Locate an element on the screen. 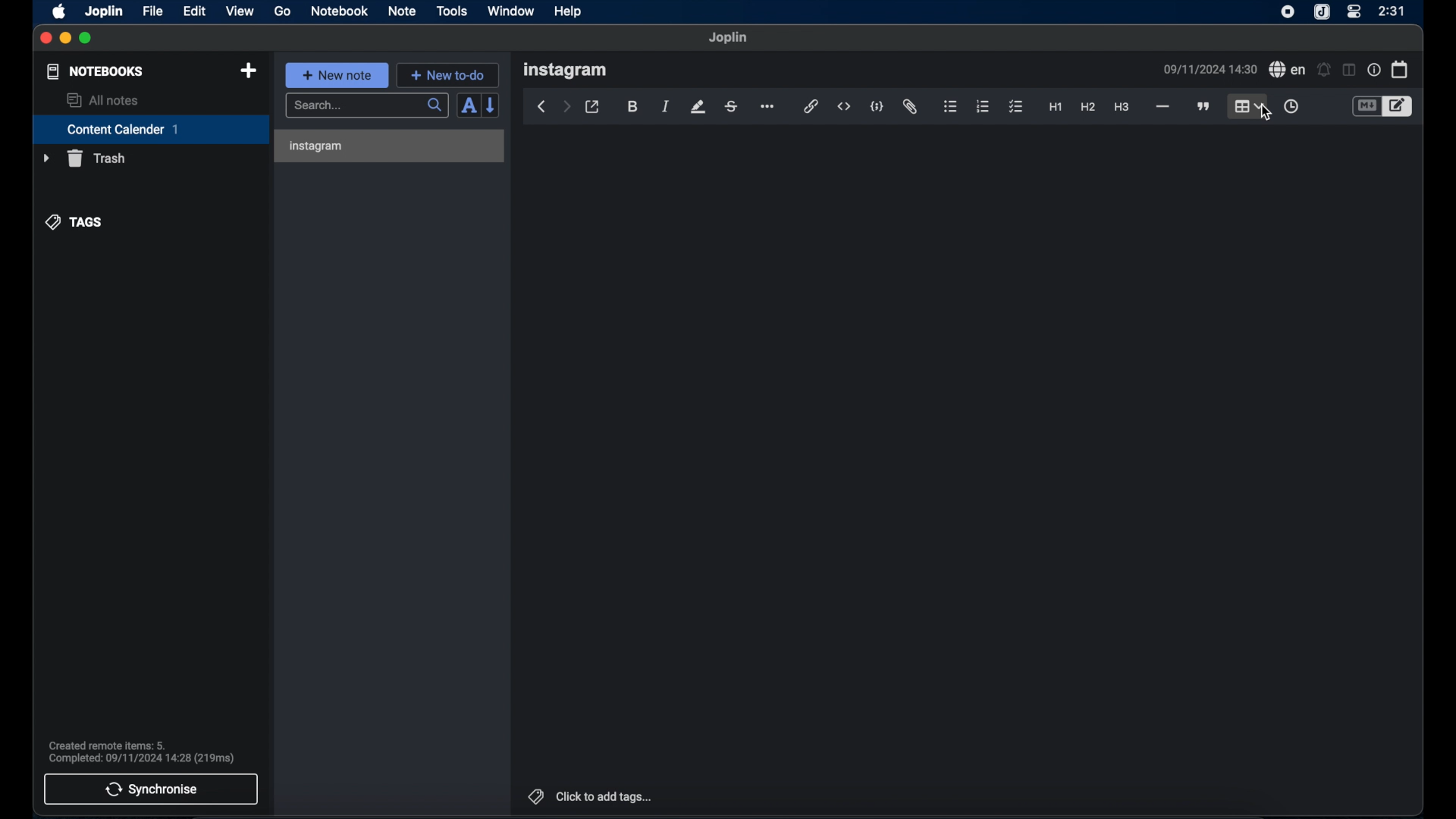 Image resolution: width=1456 pixels, height=819 pixels. cursor is located at coordinates (1270, 115).